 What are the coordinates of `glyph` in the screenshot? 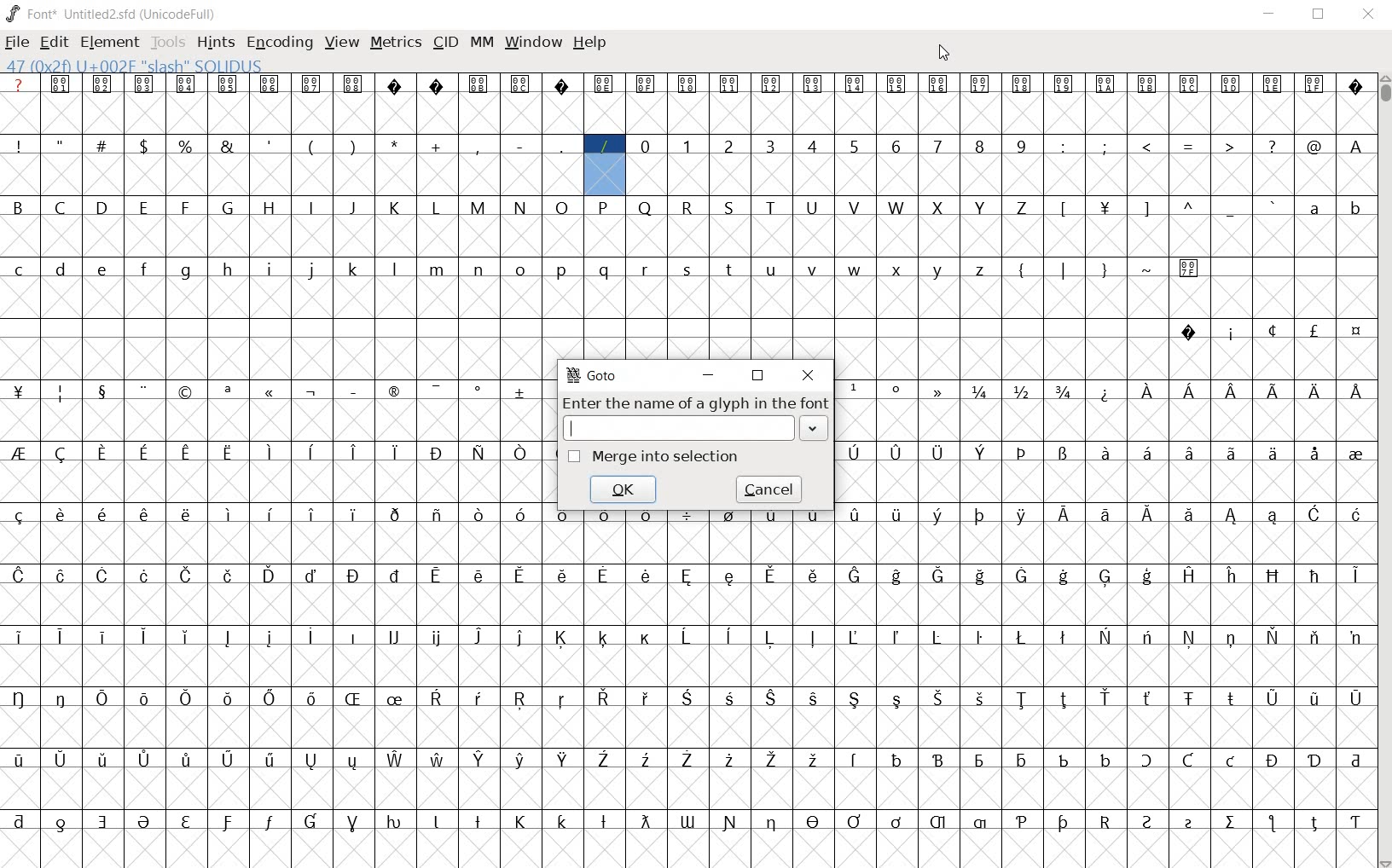 It's located at (310, 270).